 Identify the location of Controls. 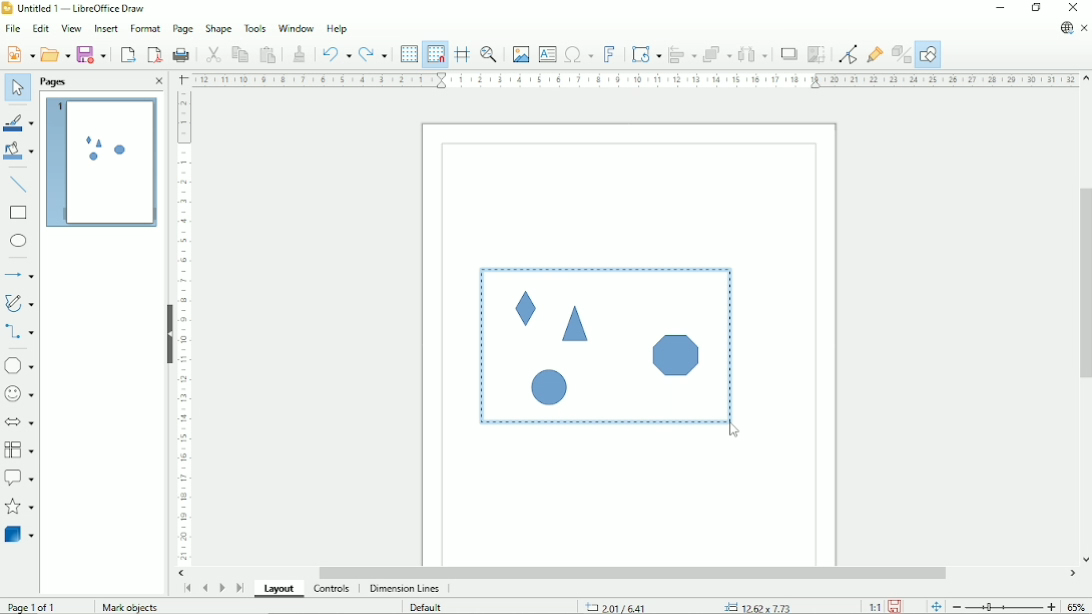
(332, 589).